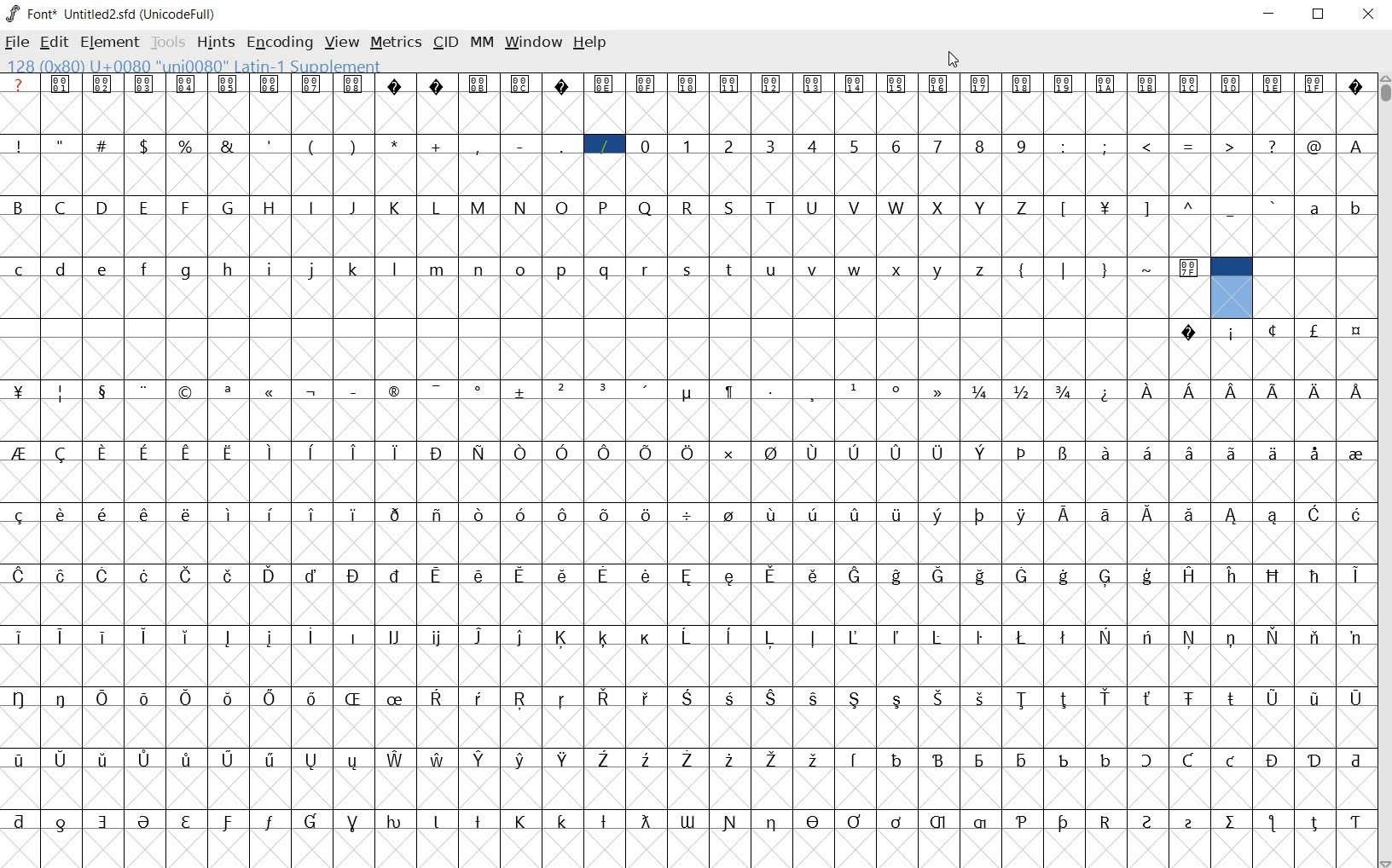 This screenshot has height=868, width=1392. What do you see at coordinates (1190, 206) in the screenshot?
I see `^` at bounding box center [1190, 206].